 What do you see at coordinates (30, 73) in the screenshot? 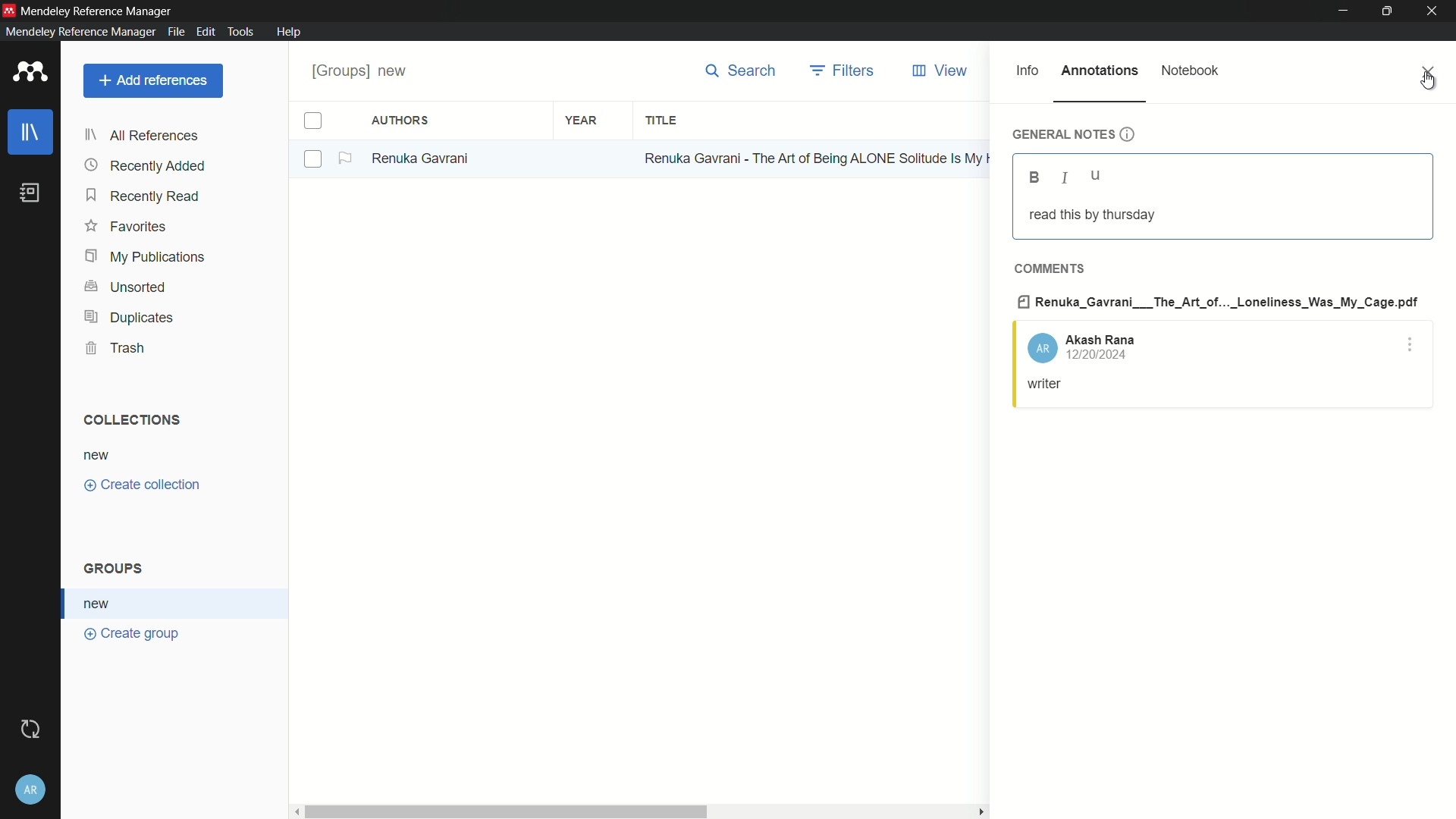
I see `app icon` at bounding box center [30, 73].